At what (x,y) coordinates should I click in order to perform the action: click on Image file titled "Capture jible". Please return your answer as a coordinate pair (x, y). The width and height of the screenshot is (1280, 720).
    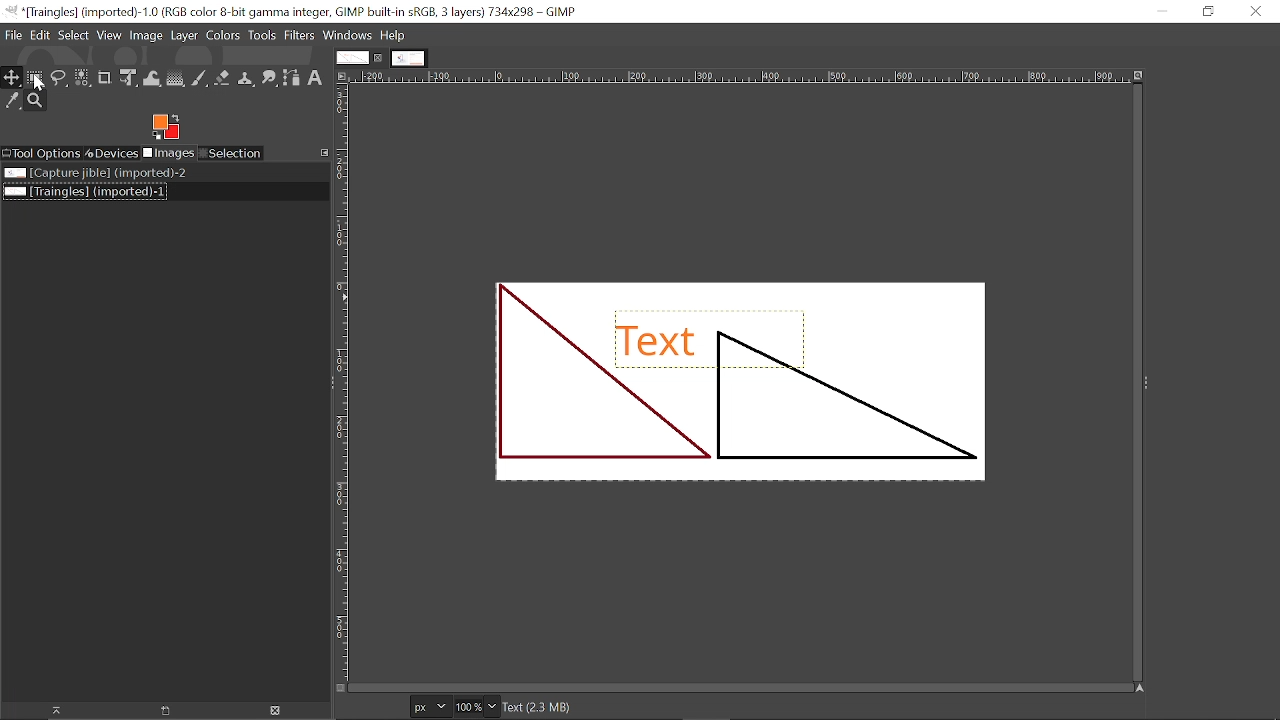
    Looking at the image, I should click on (93, 174).